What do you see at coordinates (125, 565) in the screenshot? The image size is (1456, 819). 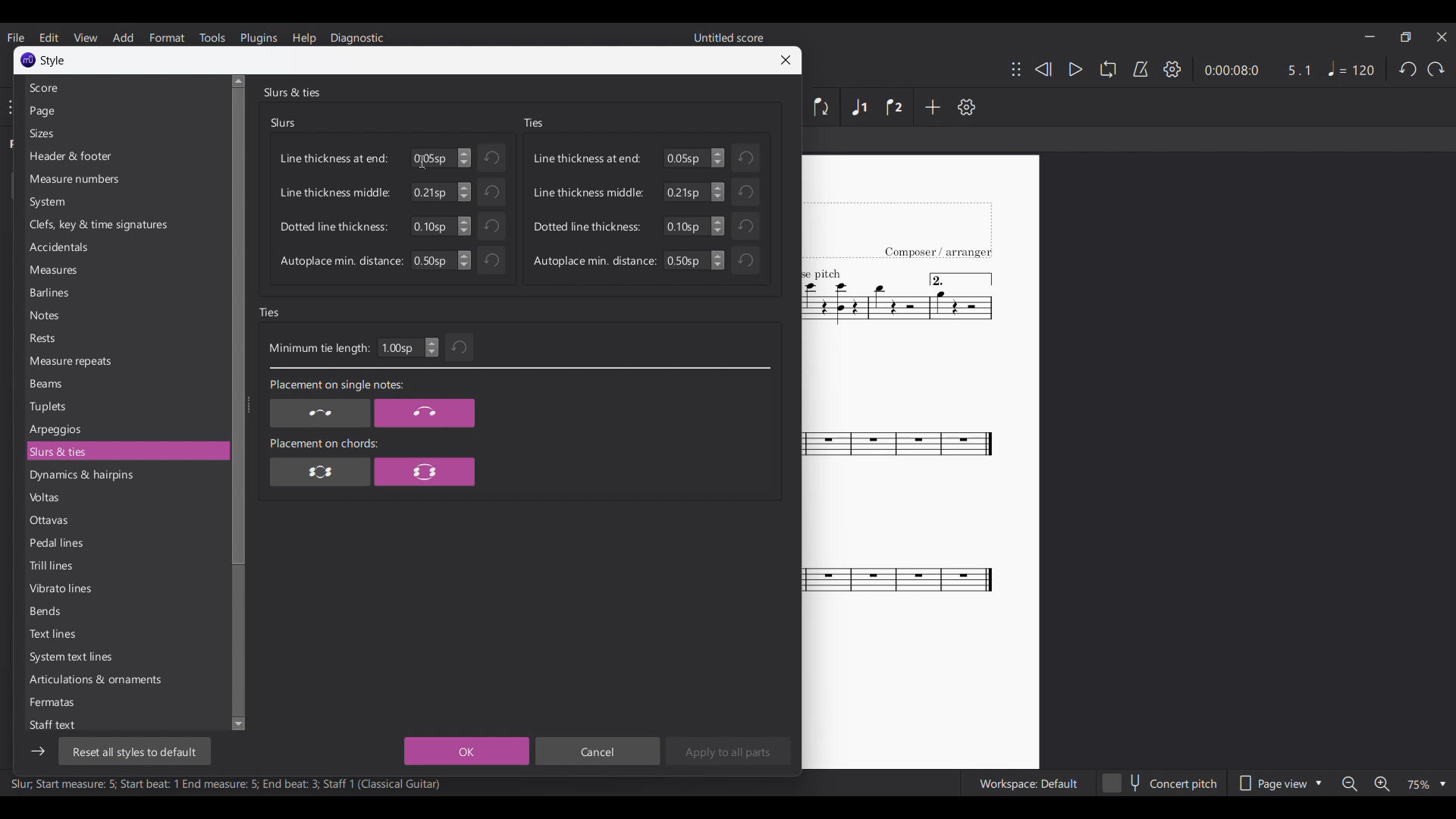 I see `Trill lines` at bounding box center [125, 565].